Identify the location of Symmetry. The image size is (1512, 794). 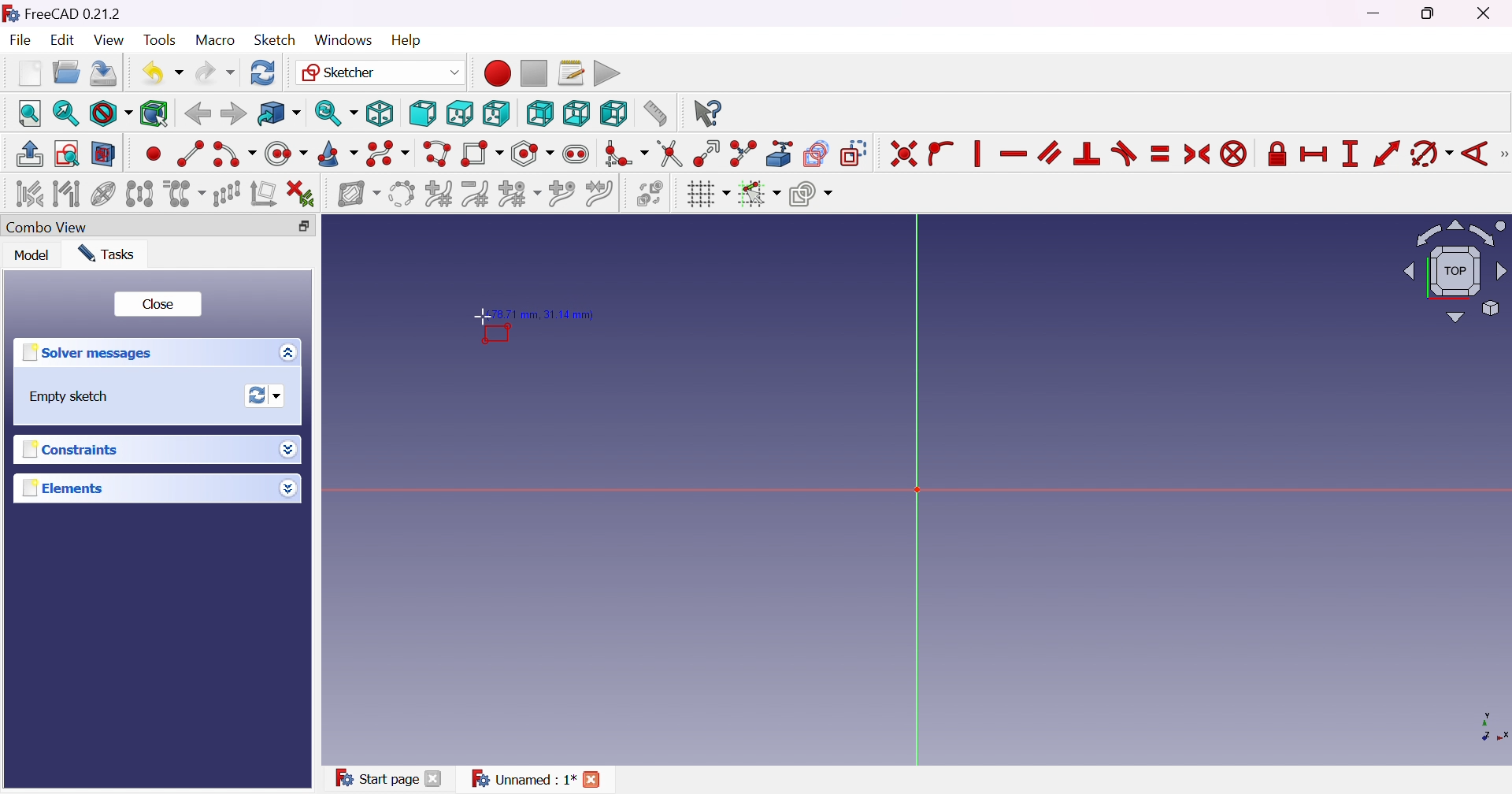
(139, 193).